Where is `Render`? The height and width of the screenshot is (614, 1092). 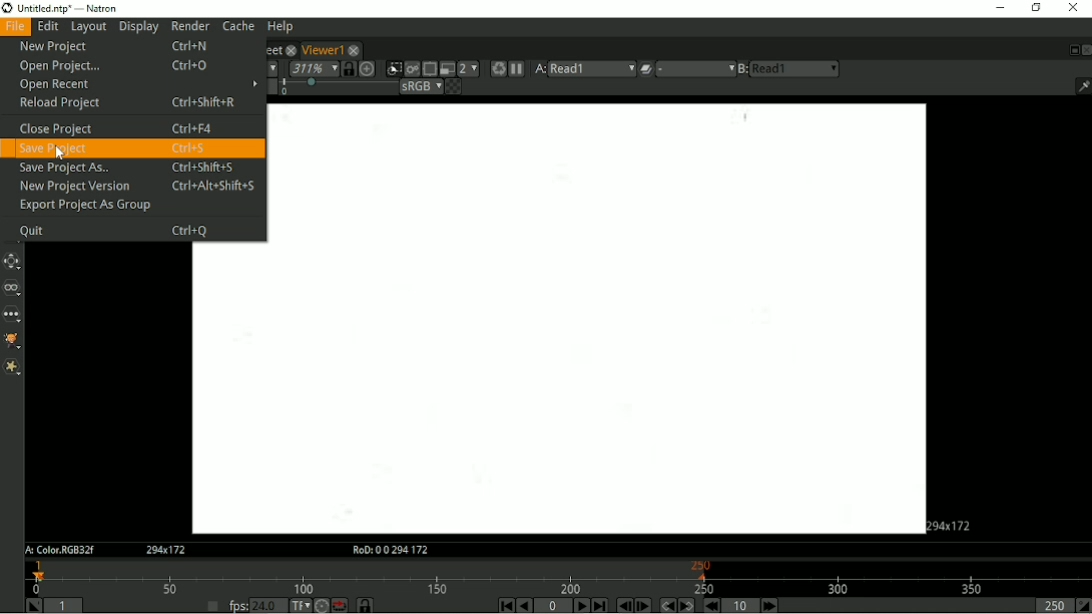
Render is located at coordinates (191, 26).